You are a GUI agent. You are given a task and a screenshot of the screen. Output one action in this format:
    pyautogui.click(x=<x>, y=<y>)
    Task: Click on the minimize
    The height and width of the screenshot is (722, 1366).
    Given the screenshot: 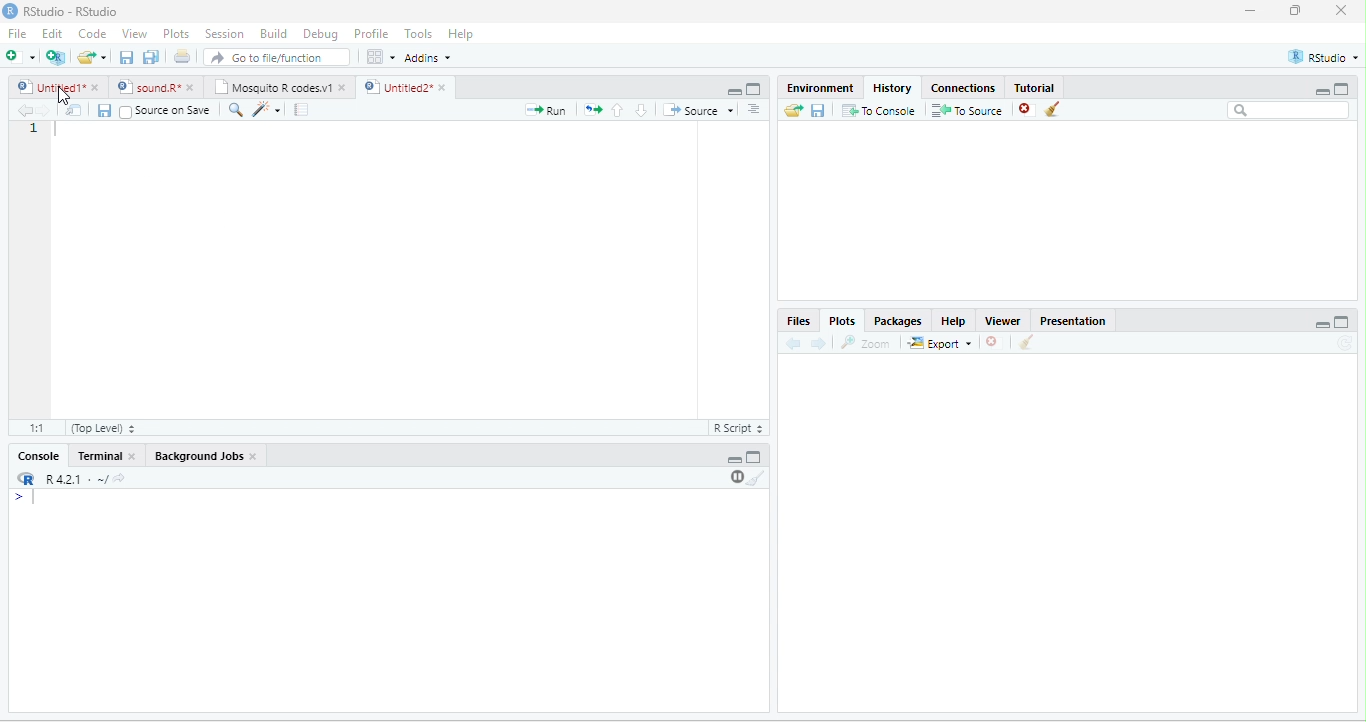 What is the action you would take?
    pyautogui.click(x=734, y=92)
    